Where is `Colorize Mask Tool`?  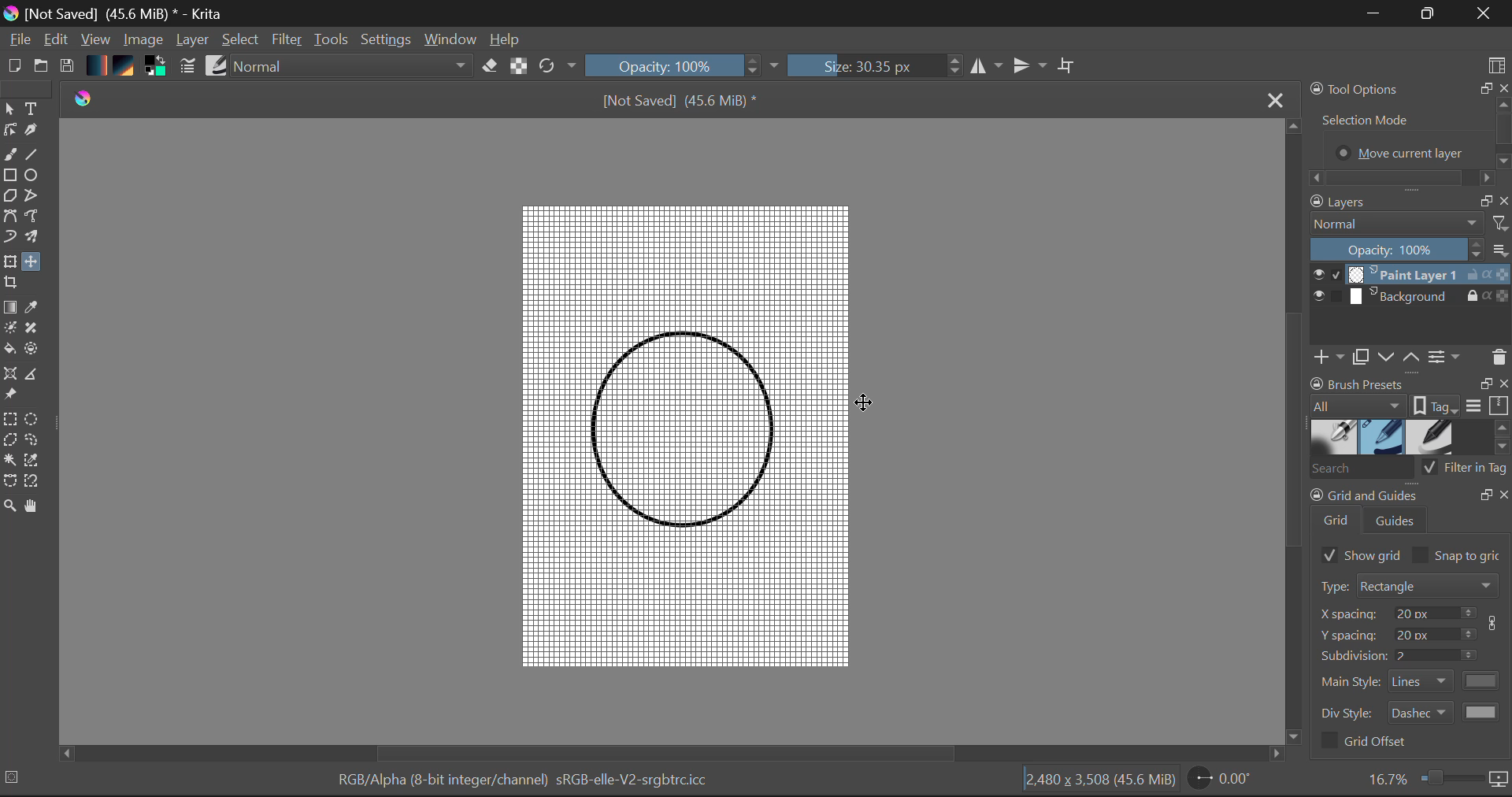
Colorize Mask Tool is located at coordinates (10, 328).